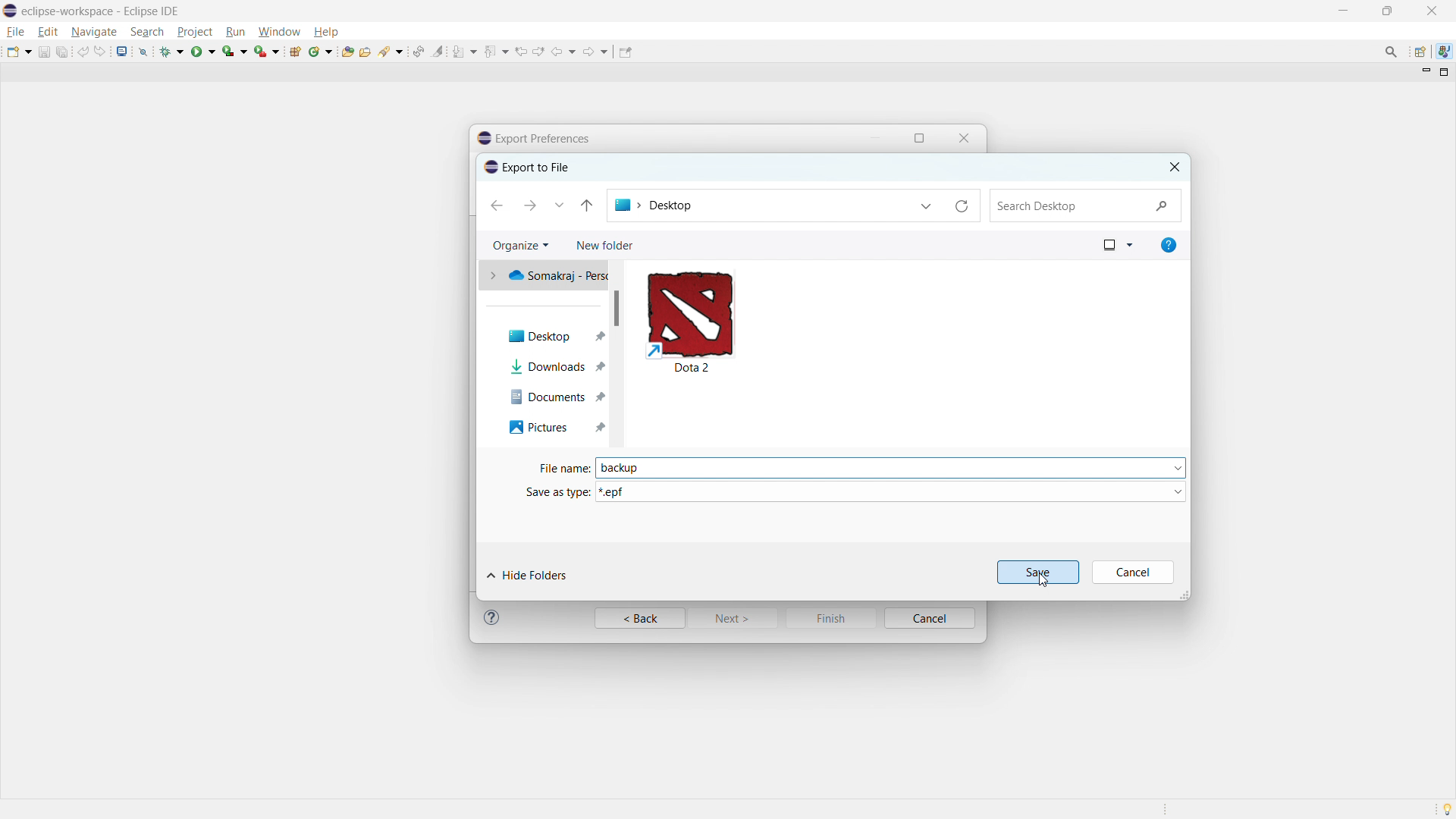  I want to click on maximize view, so click(1445, 72).